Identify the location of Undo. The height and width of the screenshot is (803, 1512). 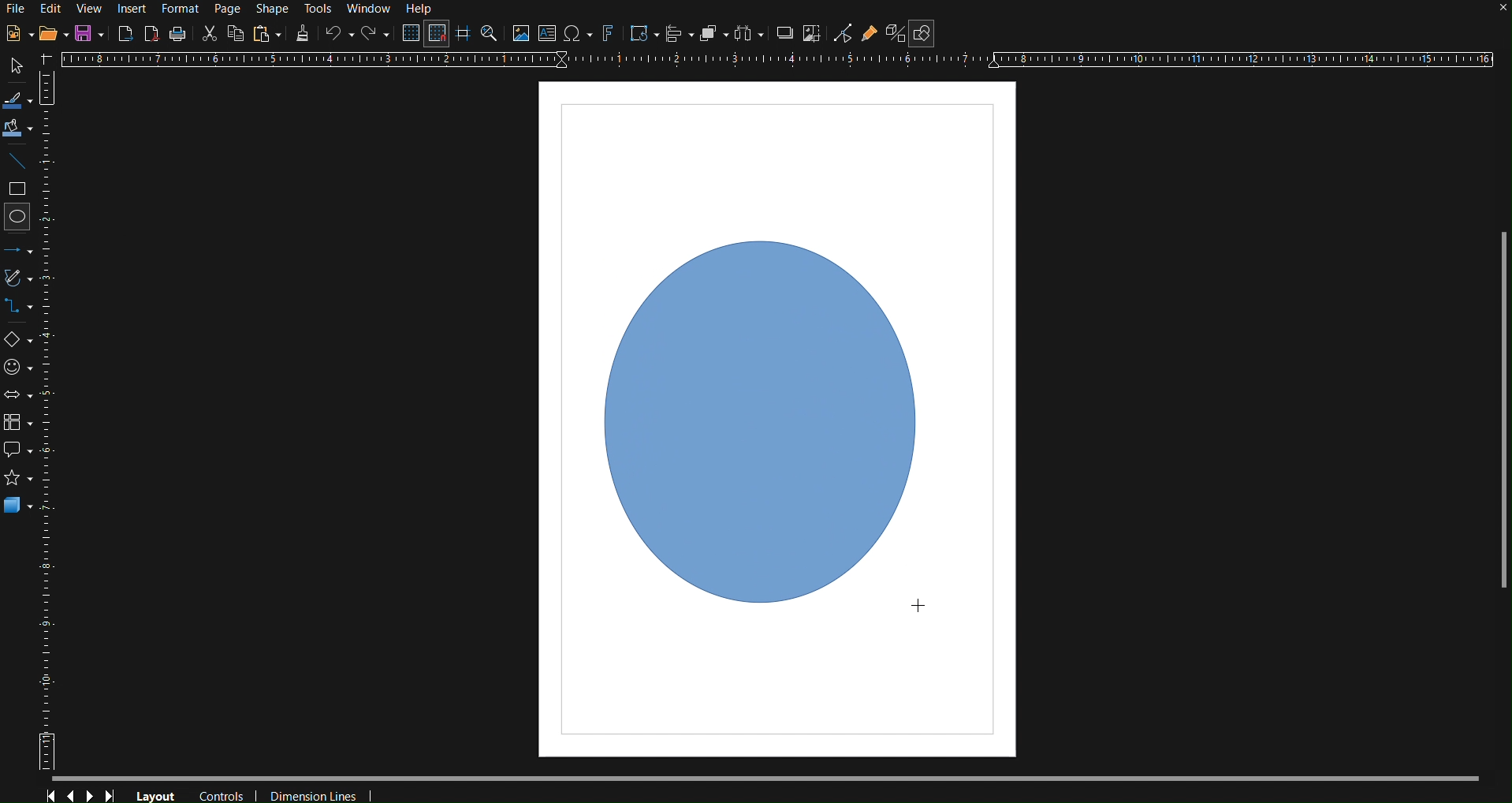
(339, 35).